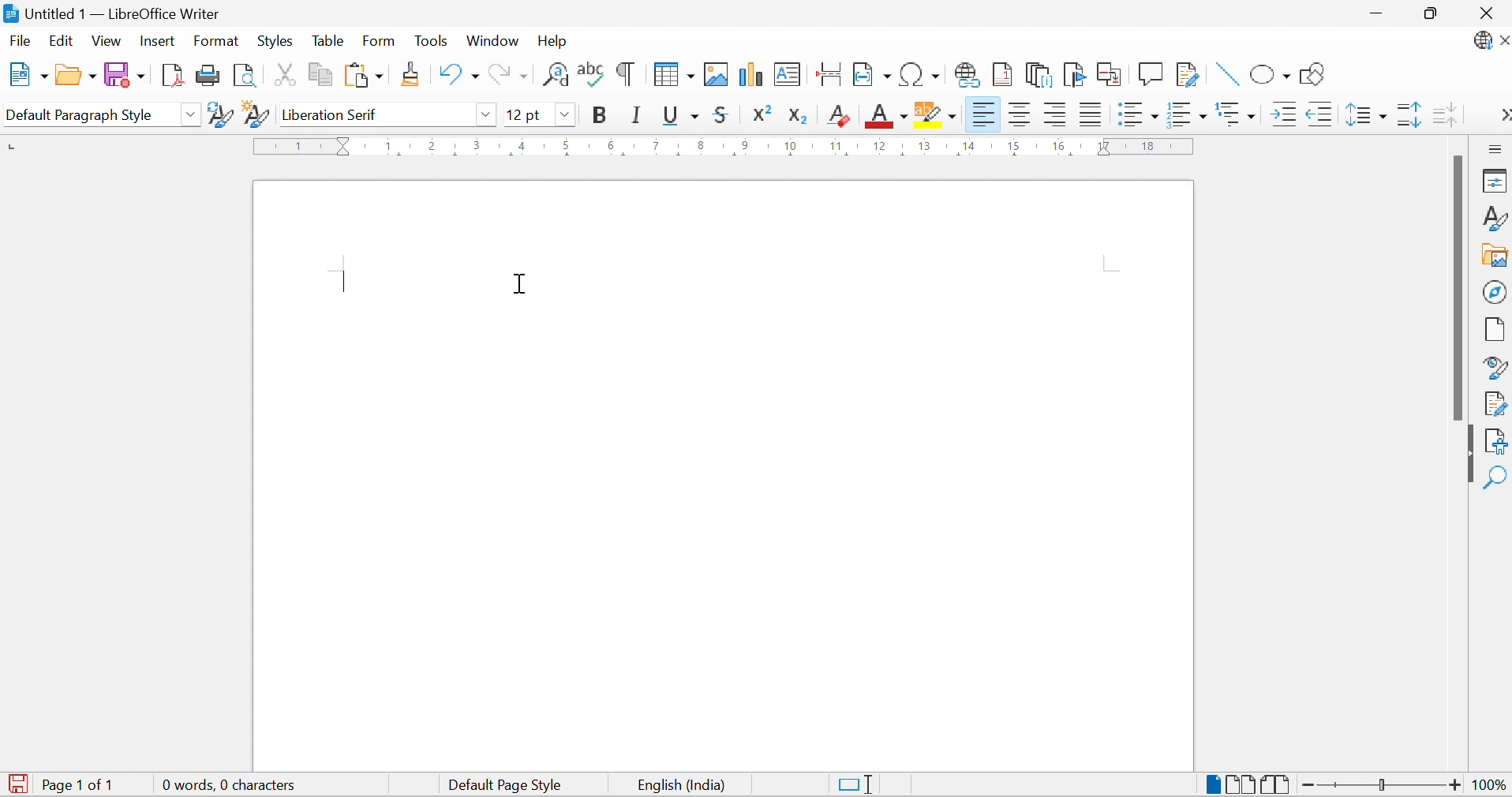 The height and width of the screenshot is (797, 1512). I want to click on Subscript, so click(803, 116).